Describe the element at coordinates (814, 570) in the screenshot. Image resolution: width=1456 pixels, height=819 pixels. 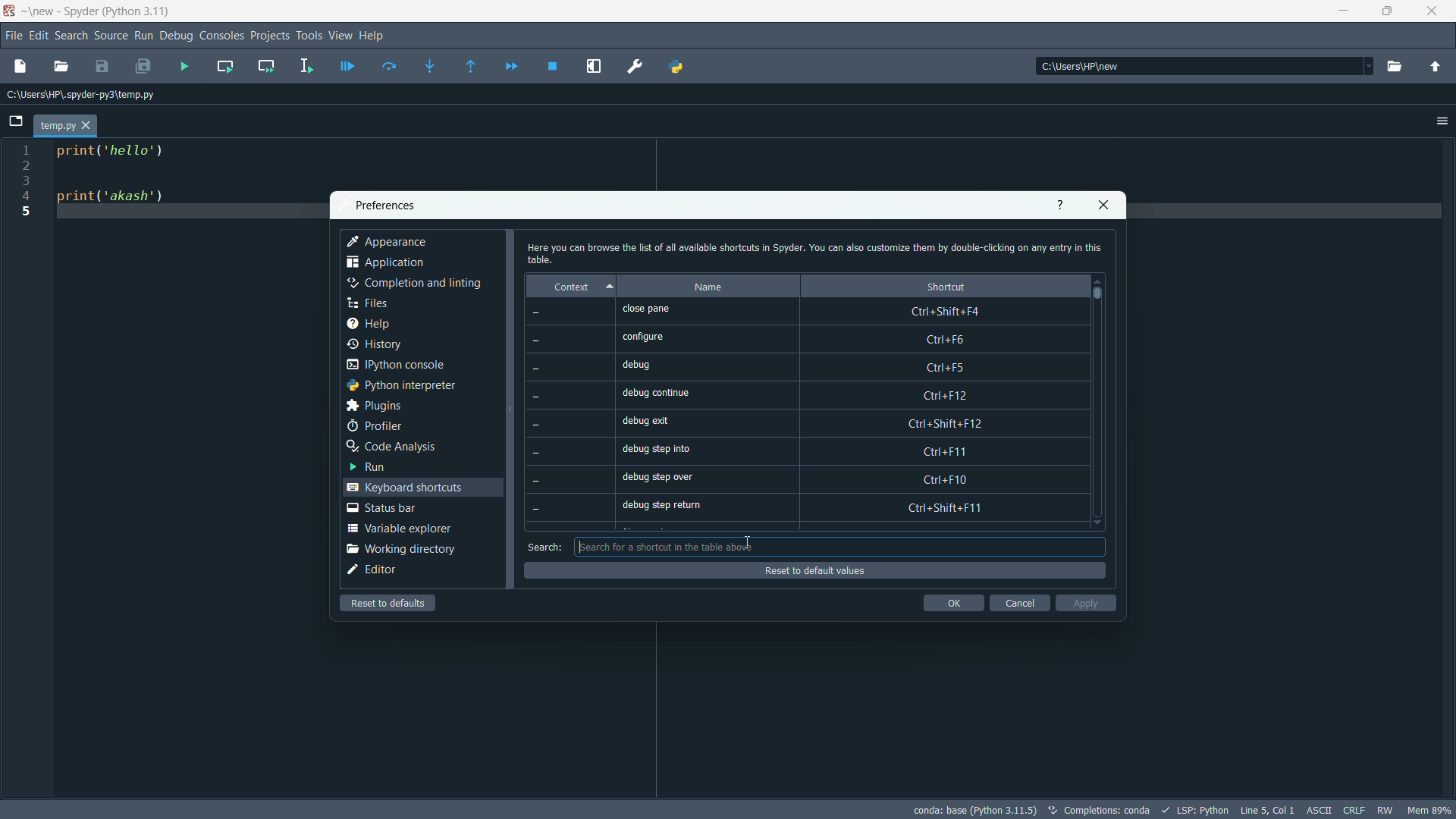
I see `reset to default values` at that location.